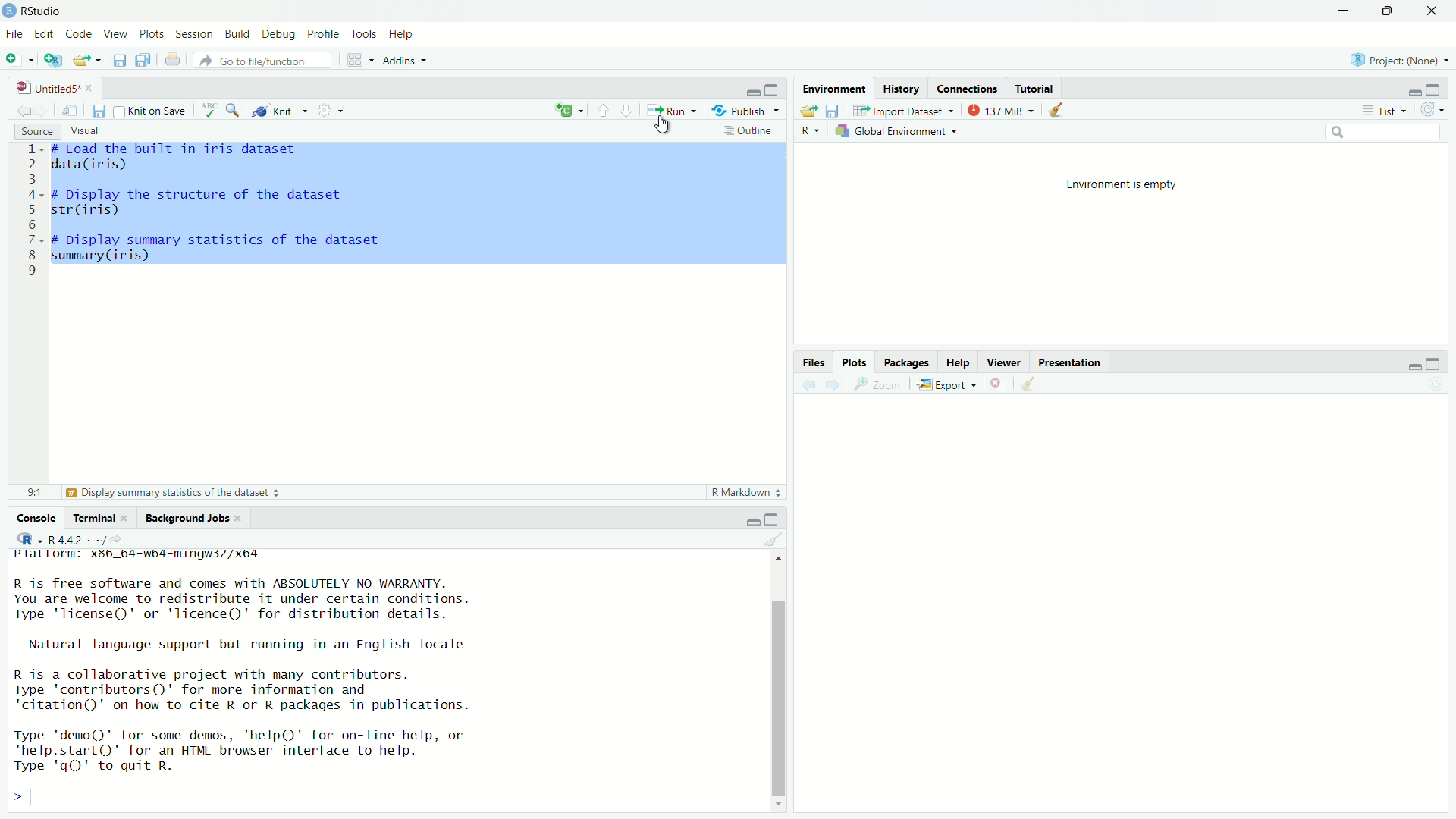 This screenshot has height=819, width=1456. Describe the element at coordinates (152, 33) in the screenshot. I see `Plots` at that location.